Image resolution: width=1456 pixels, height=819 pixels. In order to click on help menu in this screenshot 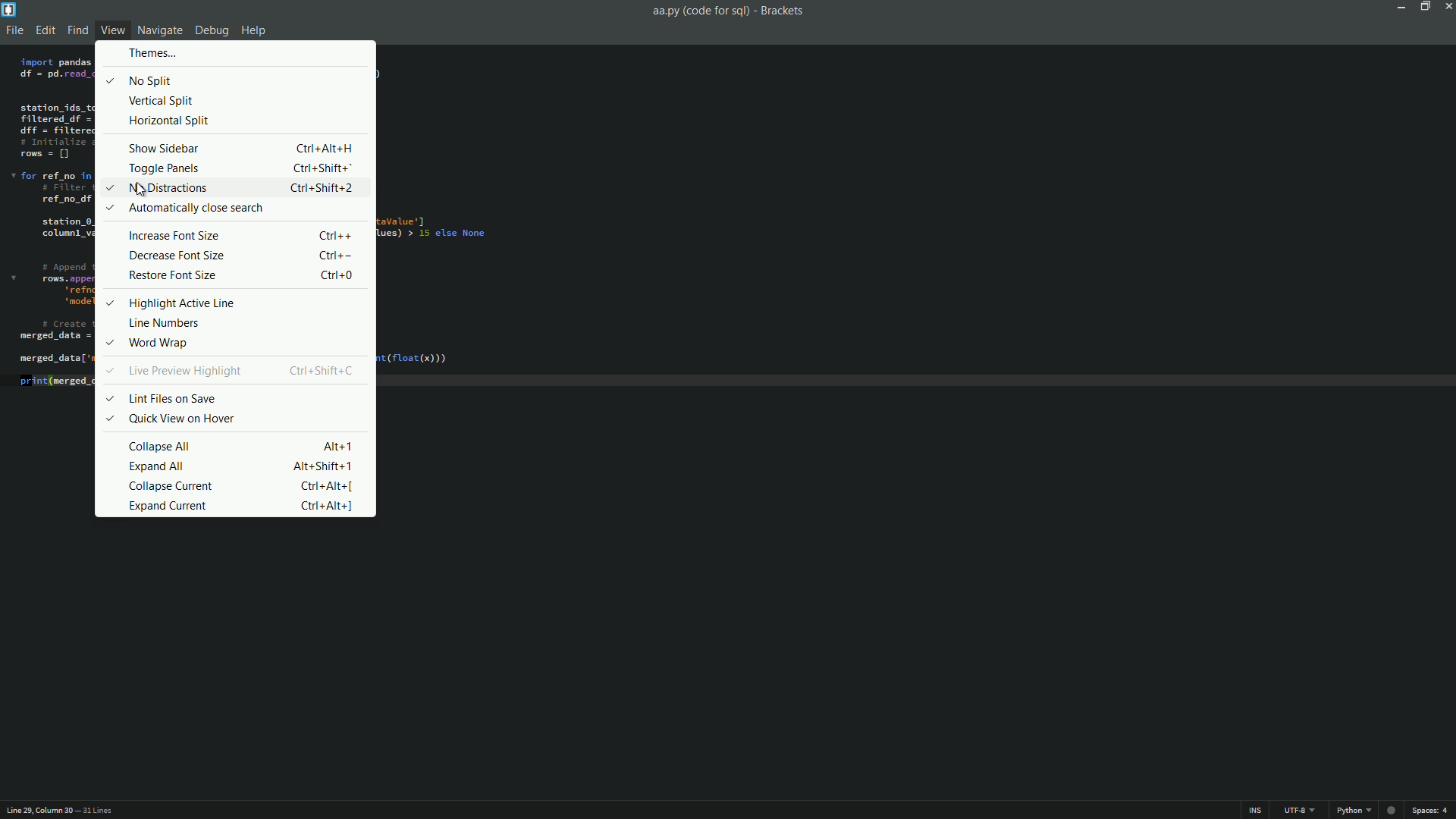, I will do `click(254, 30)`.